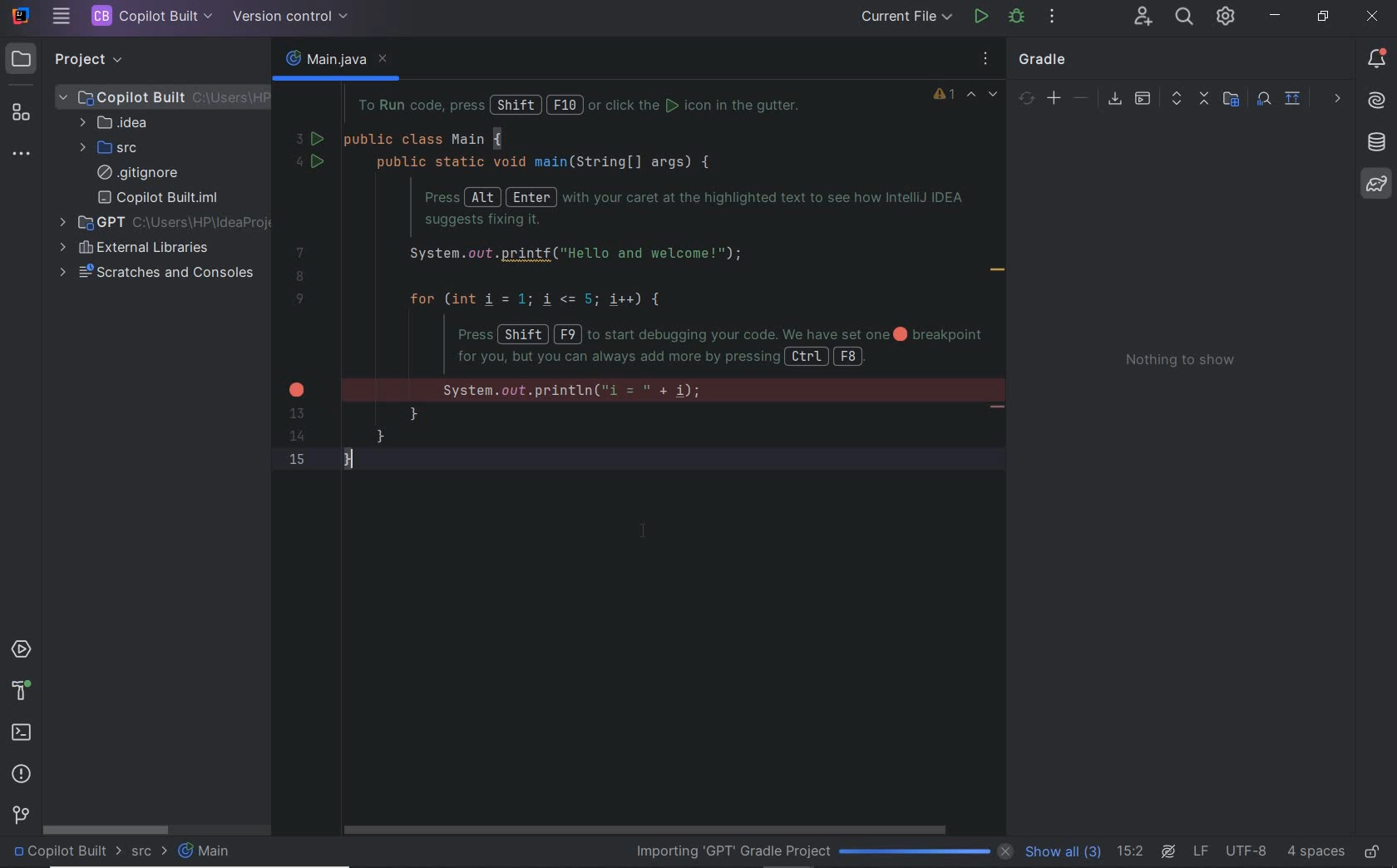 The width and height of the screenshot is (1397, 868). What do you see at coordinates (19, 17) in the screenshot?
I see `SYSTEM NAME` at bounding box center [19, 17].